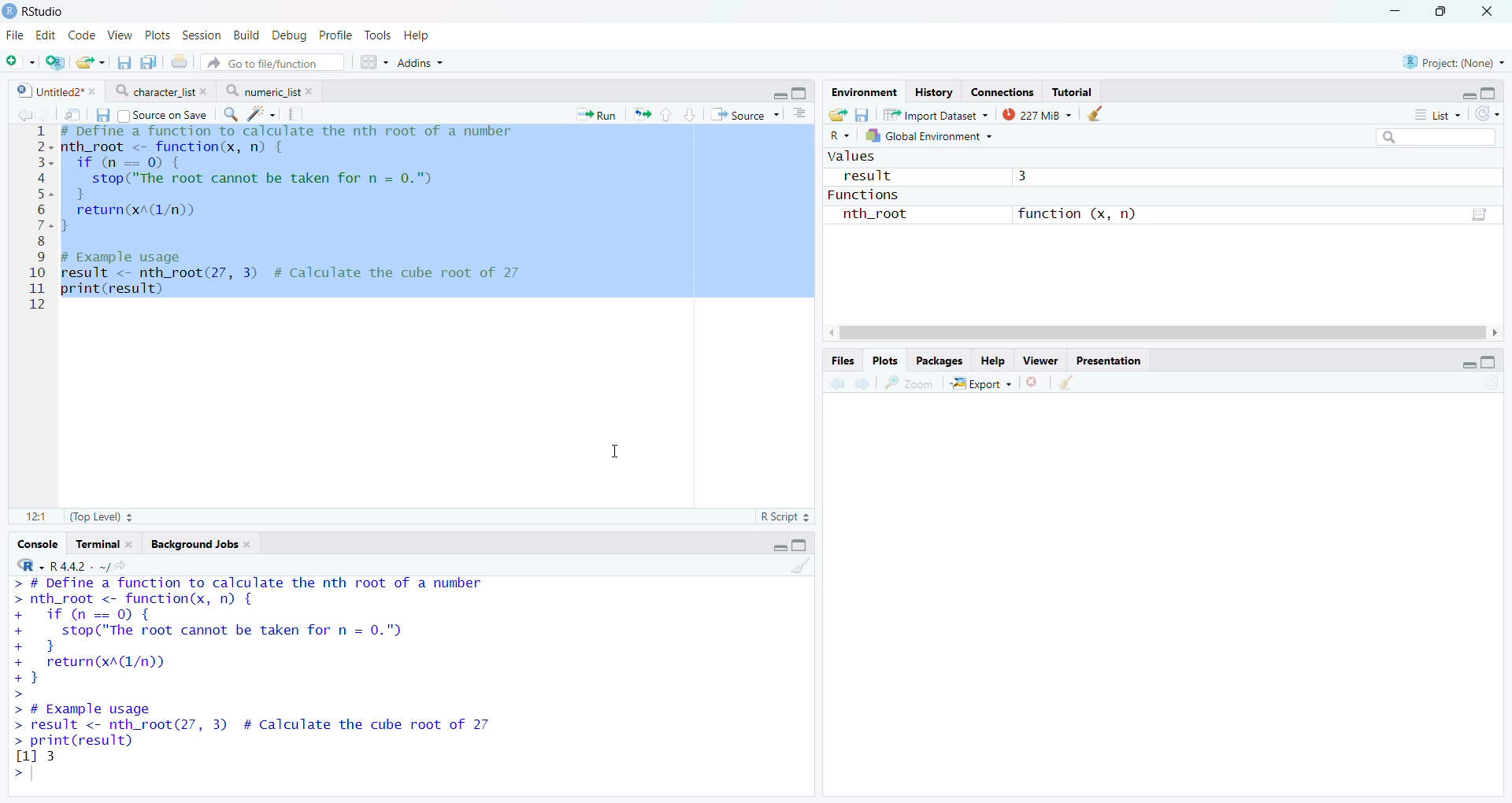 The image size is (1512, 803). What do you see at coordinates (18, 62) in the screenshot?
I see `Open new file` at bounding box center [18, 62].